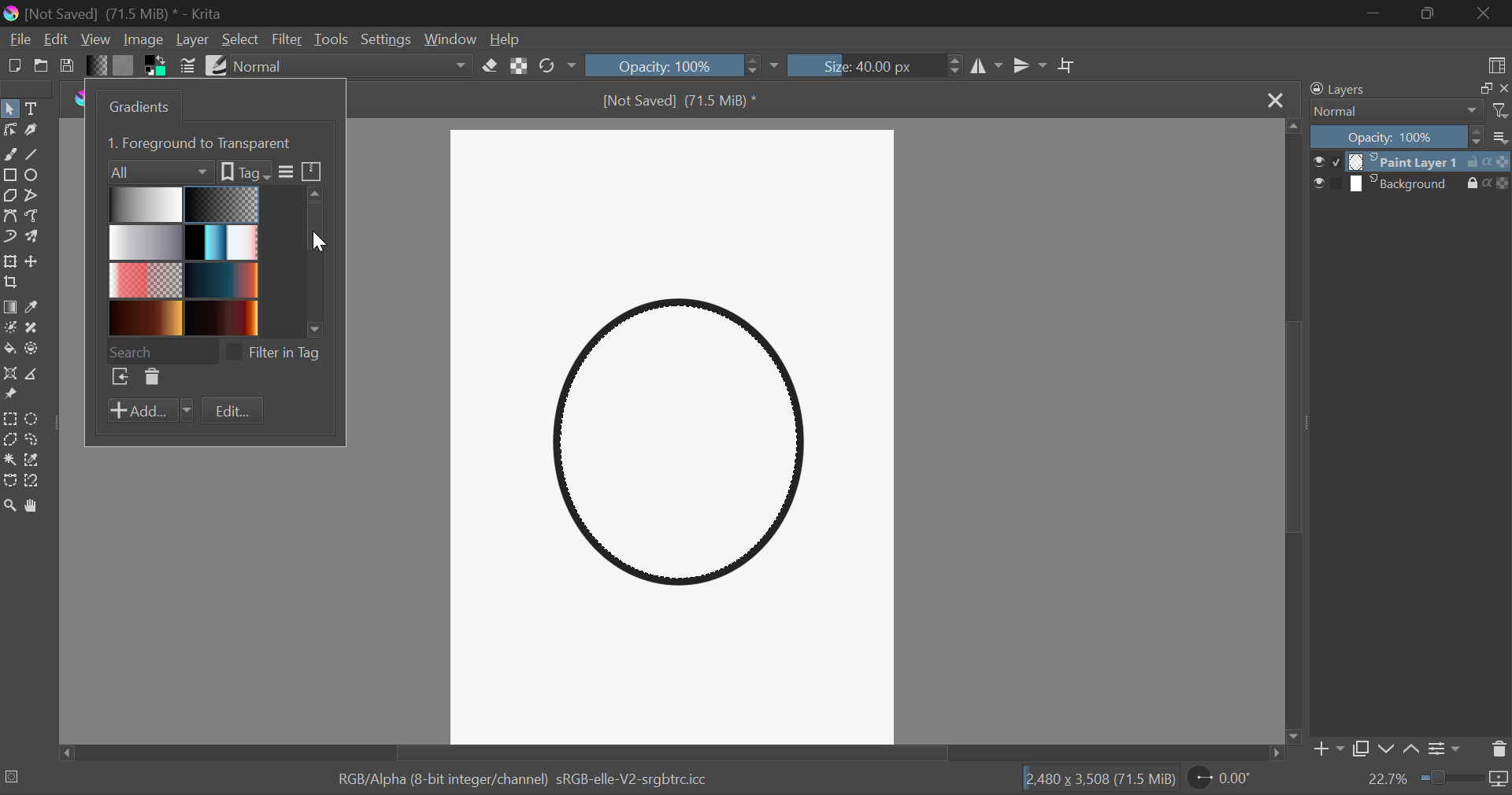 Image resolution: width=1512 pixels, height=795 pixels. I want to click on Tools, so click(332, 39).